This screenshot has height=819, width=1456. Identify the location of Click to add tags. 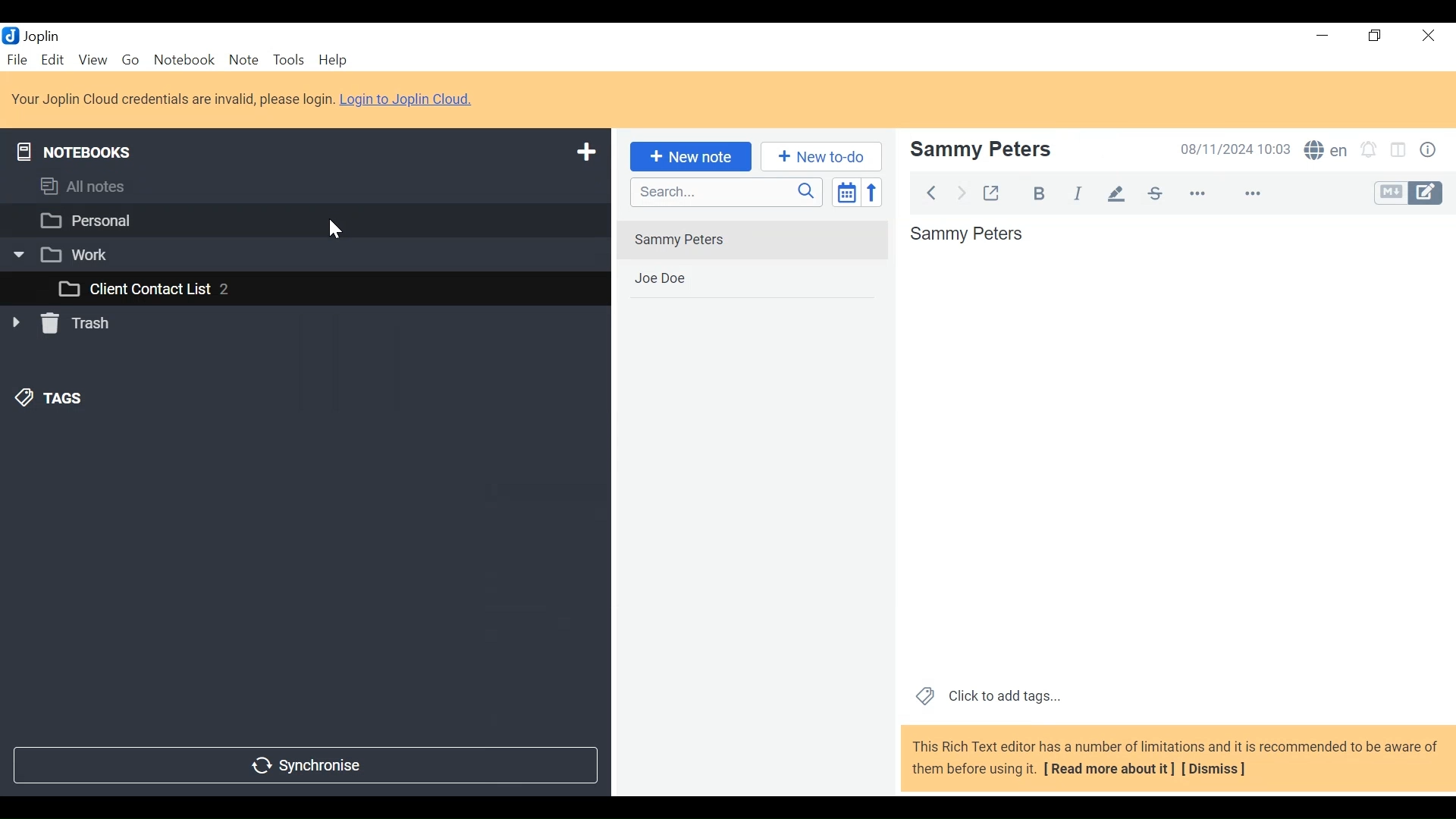
(990, 693).